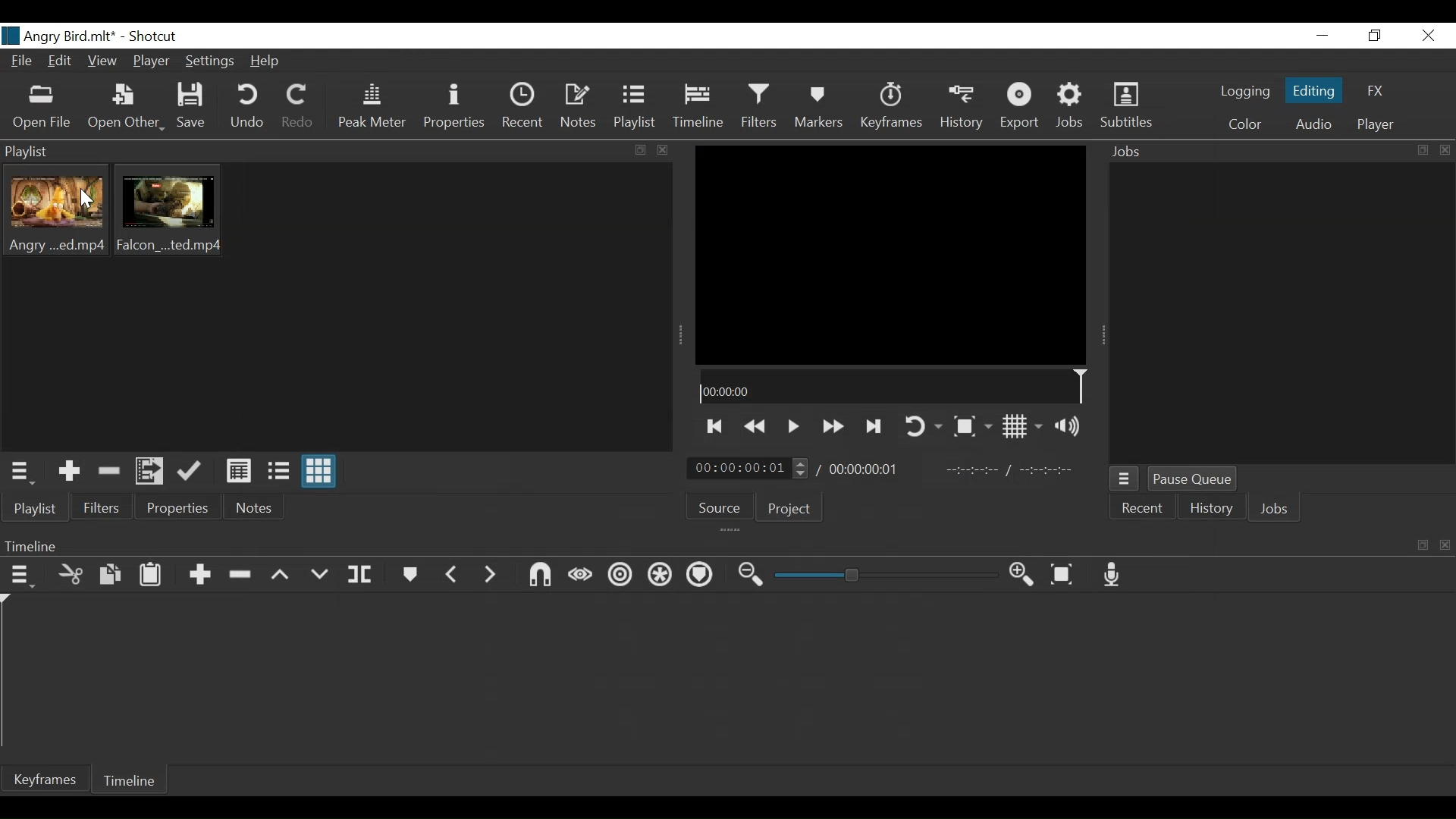 The width and height of the screenshot is (1456, 819). What do you see at coordinates (456, 107) in the screenshot?
I see `Properties` at bounding box center [456, 107].